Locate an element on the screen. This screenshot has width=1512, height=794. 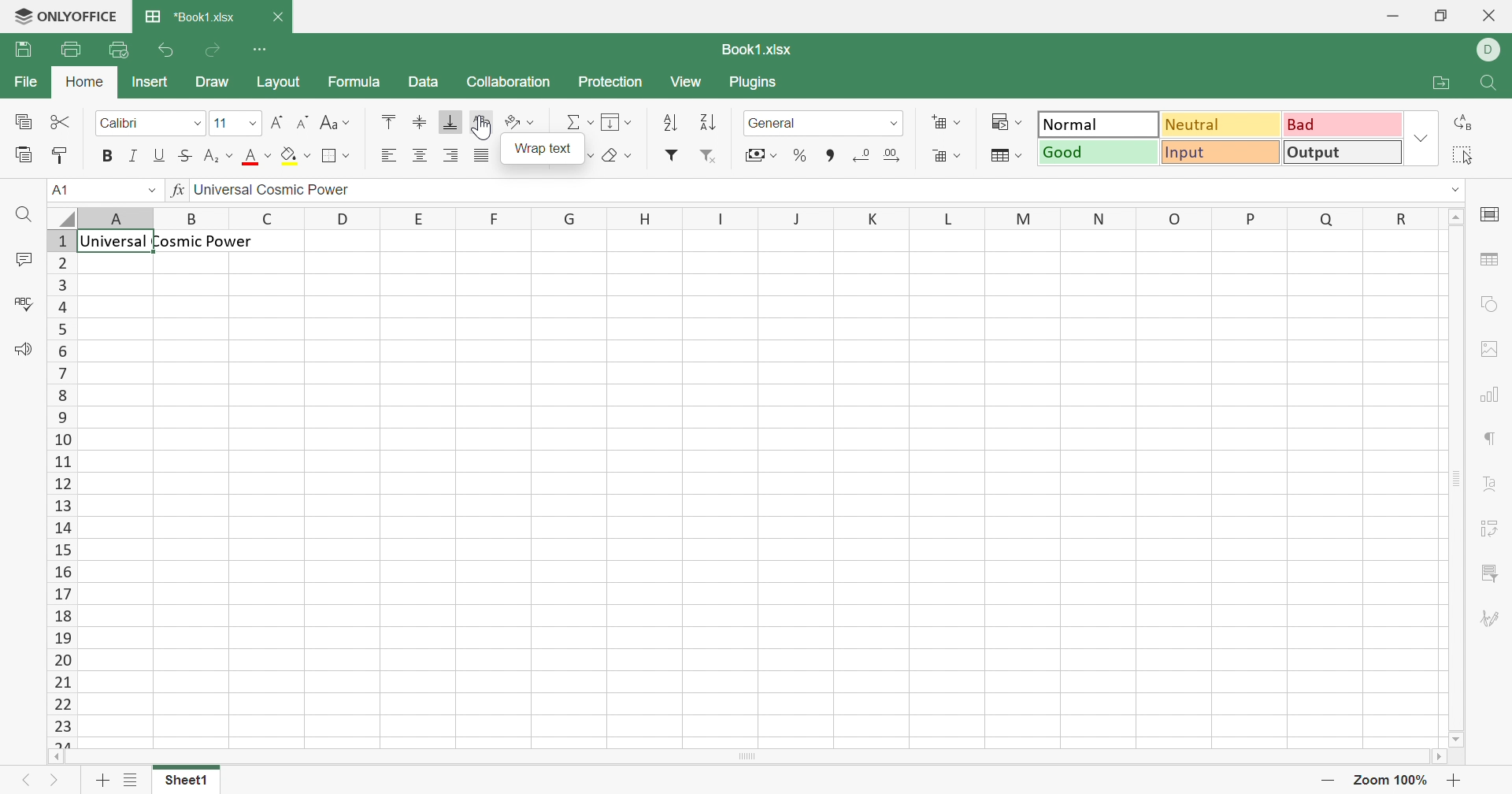
Drop Down is located at coordinates (195, 123).